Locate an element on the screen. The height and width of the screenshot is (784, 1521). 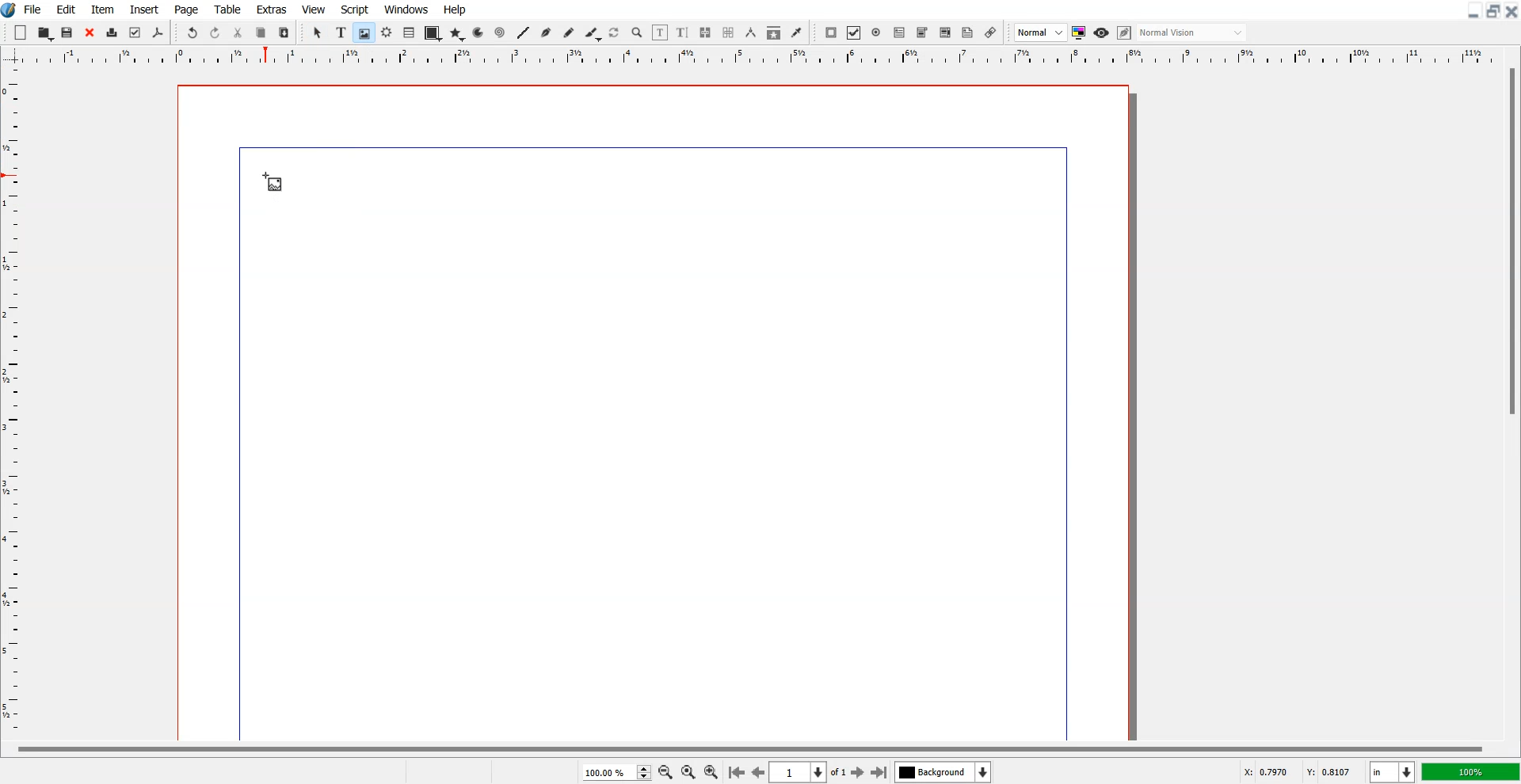
100% is located at coordinates (1470, 771).